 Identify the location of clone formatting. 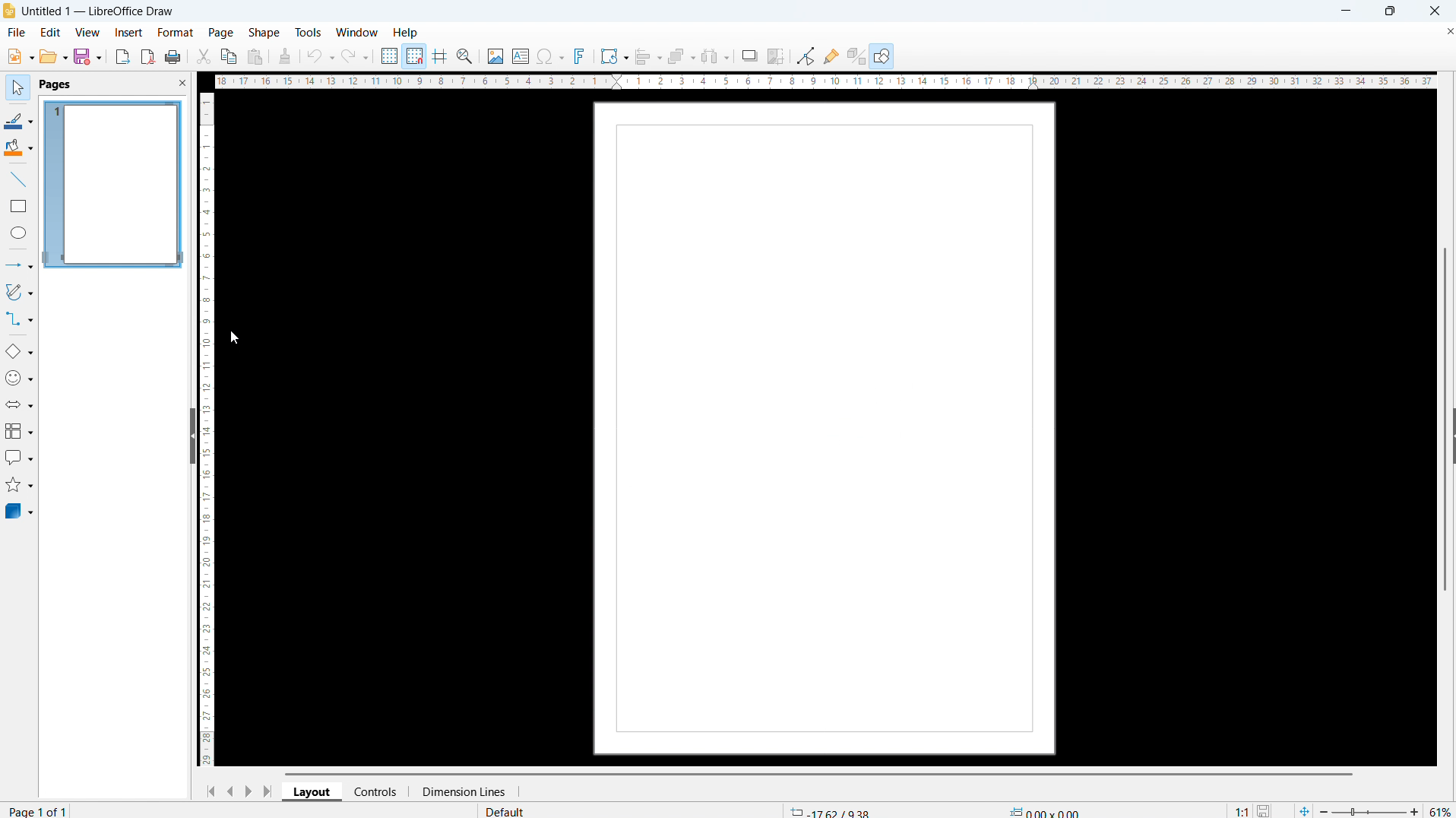
(286, 55).